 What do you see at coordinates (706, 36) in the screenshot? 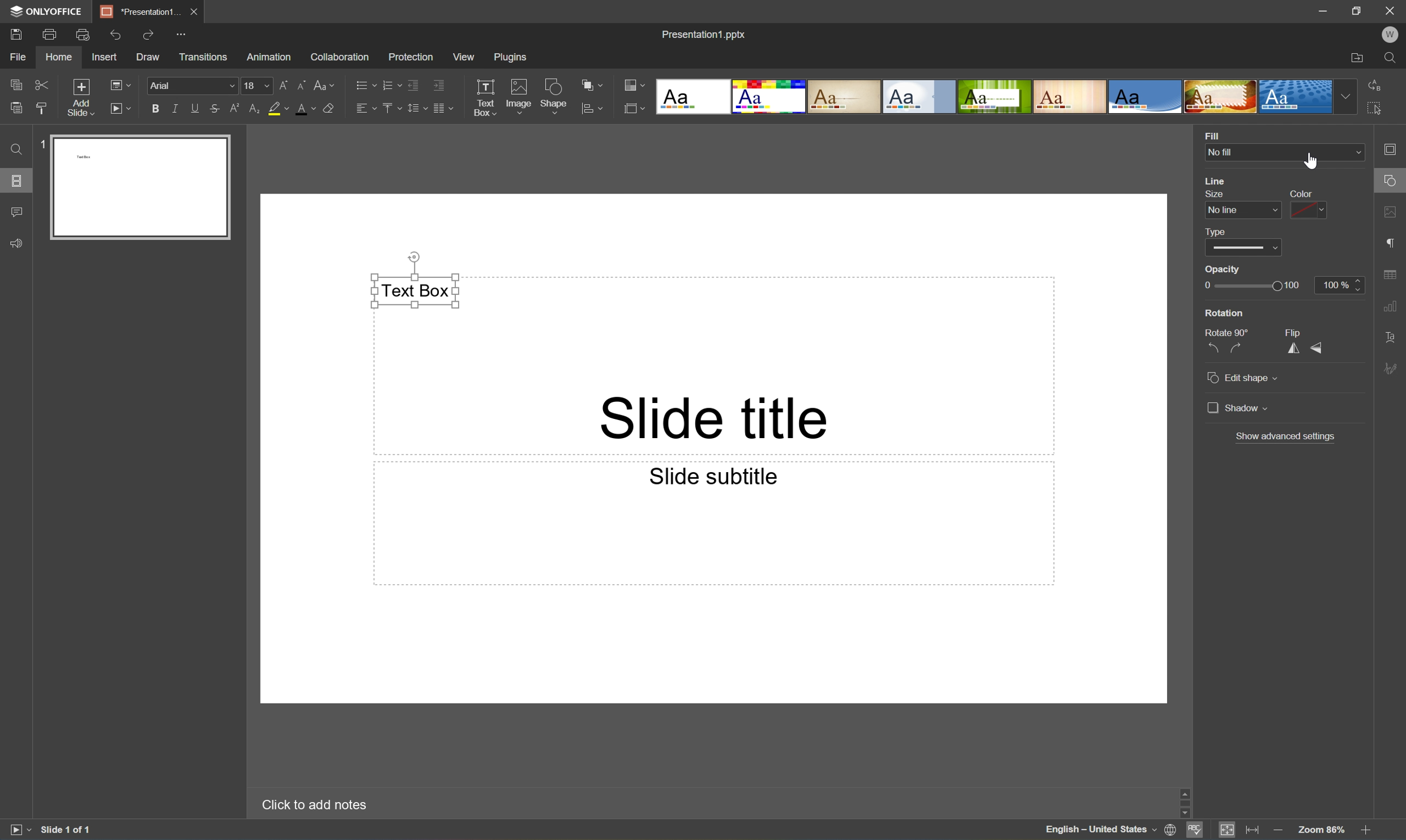
I see `Presentation1.pptx` at bounding box center [706, 36].